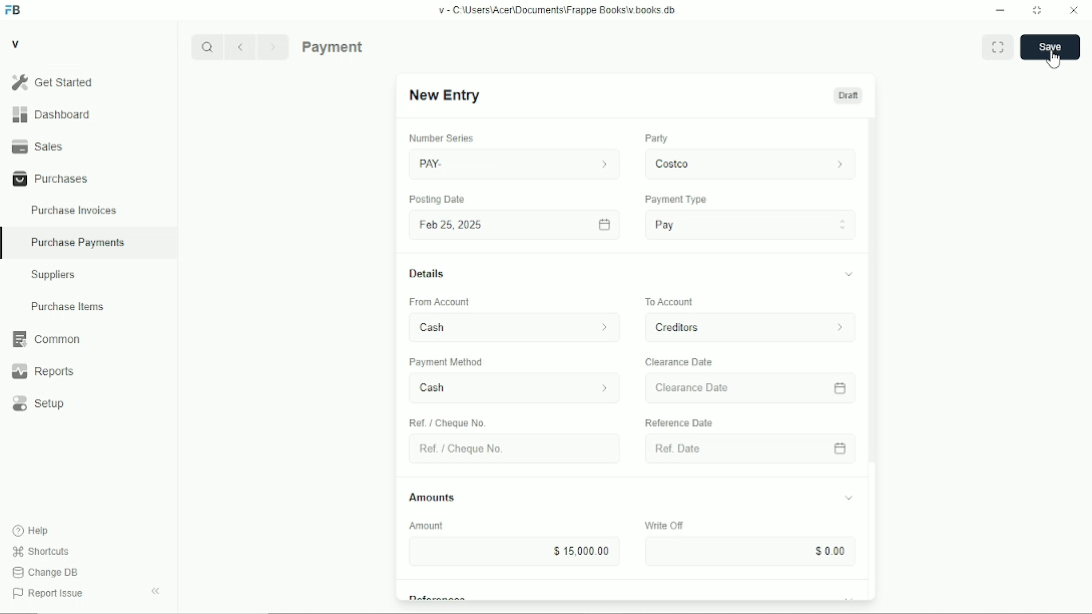 The height and width of the screenshot is (614, 1092). I want to click on Search, so click(207, 47).